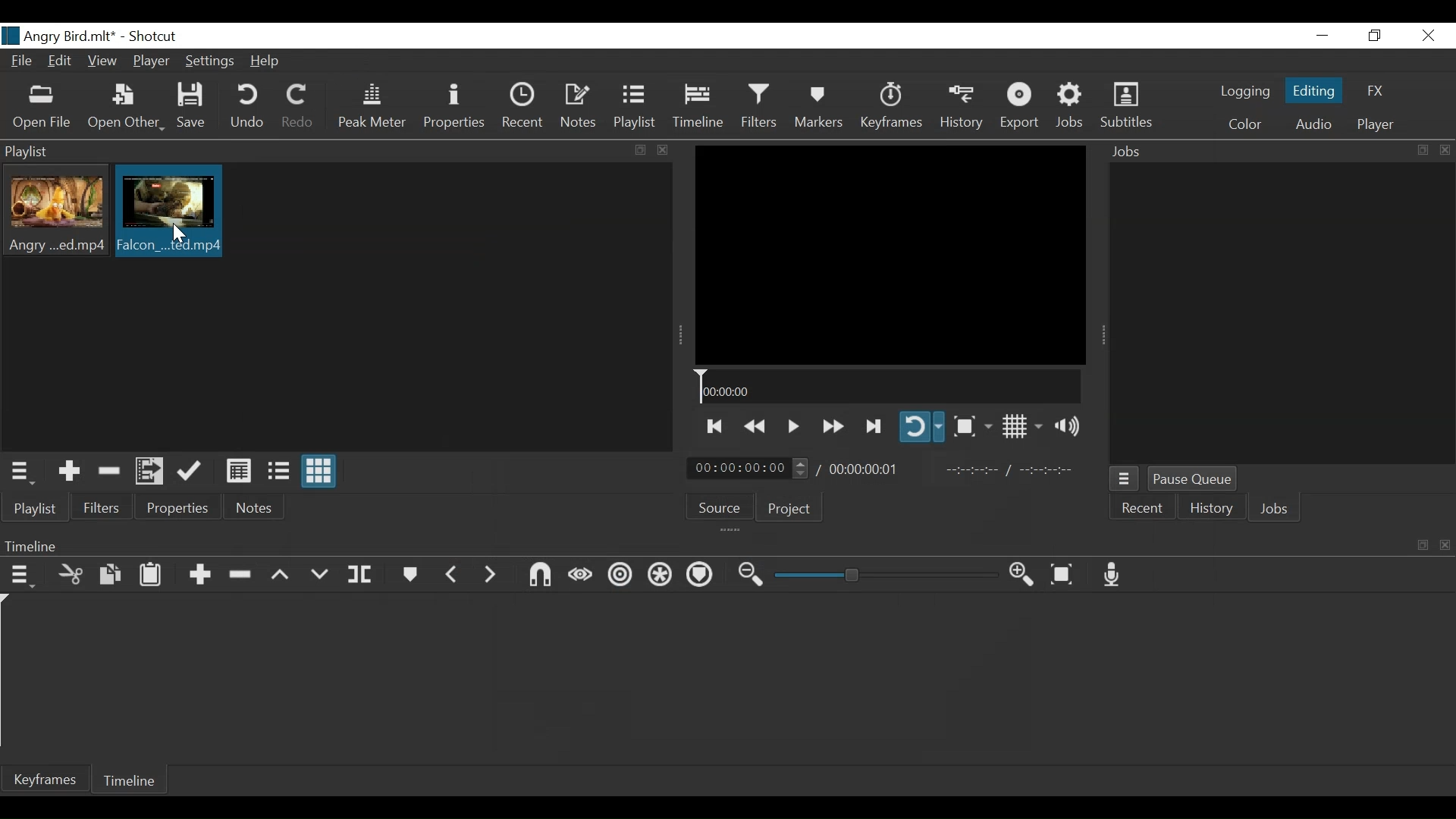 This screenshot has width=1456, height=819. What do you see at coordinates (1141, 510) in the screenshot?
I see `Recent` at bounding box center [1141, 510].